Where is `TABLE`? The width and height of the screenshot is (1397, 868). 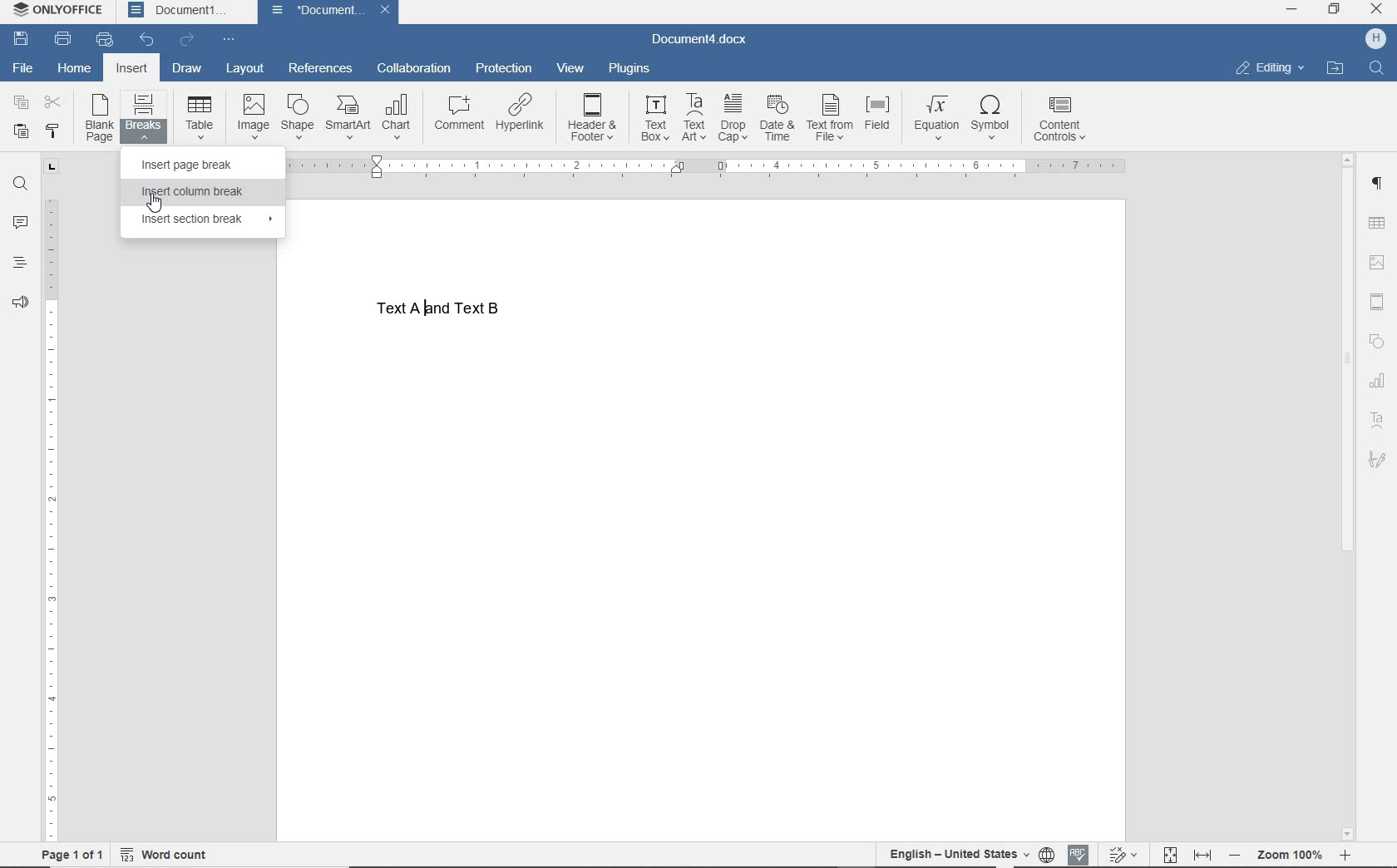
TABLE is located at coordinates (199, 121).